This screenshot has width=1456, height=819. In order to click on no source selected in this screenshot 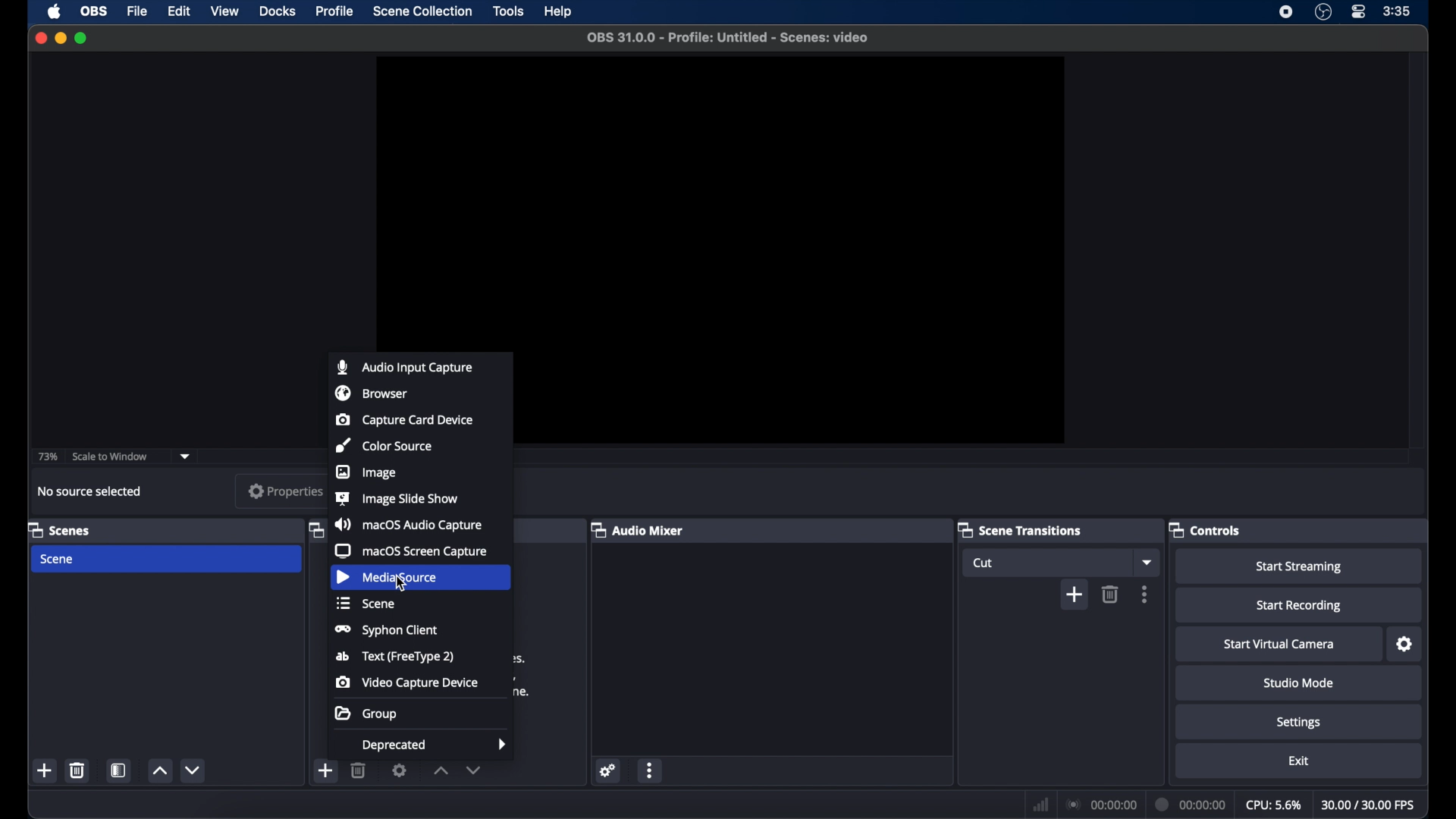, I will do `click(90, 492)`.